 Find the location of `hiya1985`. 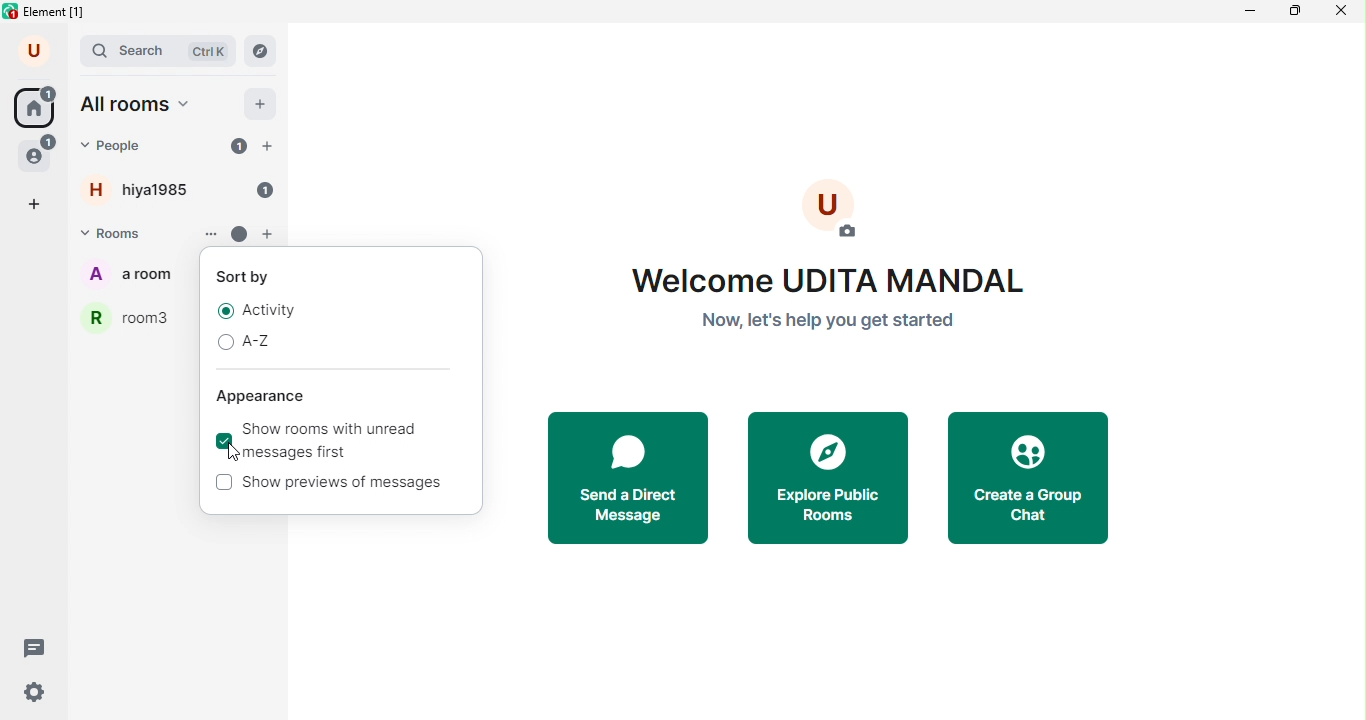

hiya1985 is located at coordinates (146, 188).